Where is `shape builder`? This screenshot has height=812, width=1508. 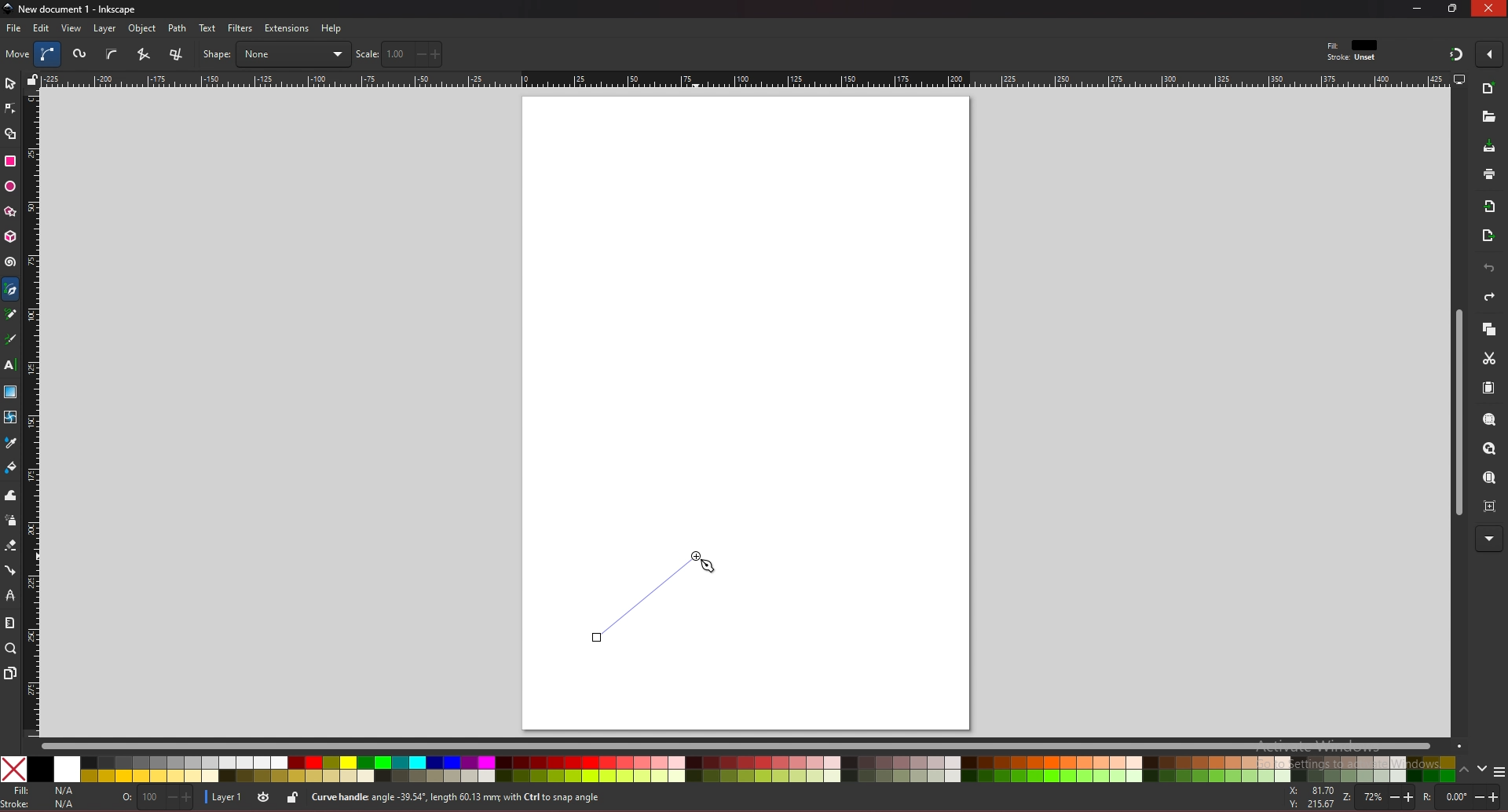 shape builder is located at coordinates (11, 134).